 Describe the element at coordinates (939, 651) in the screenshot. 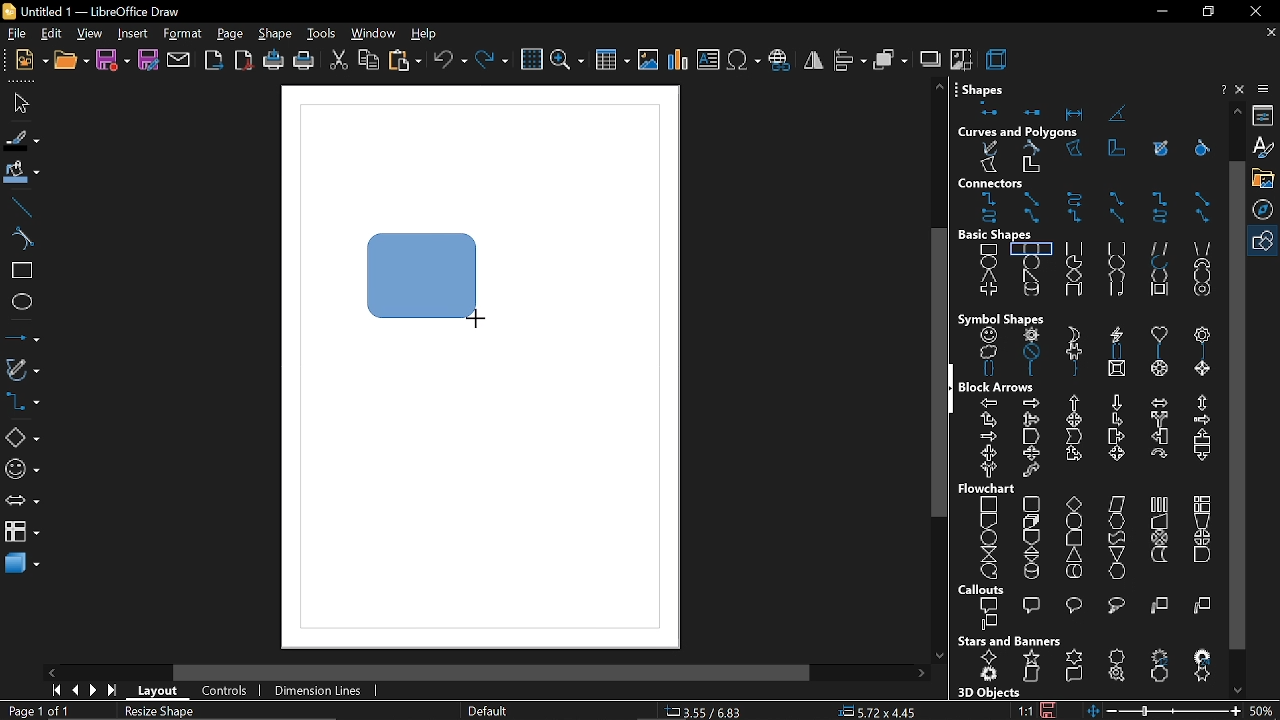

I see `scroll down` at that location.